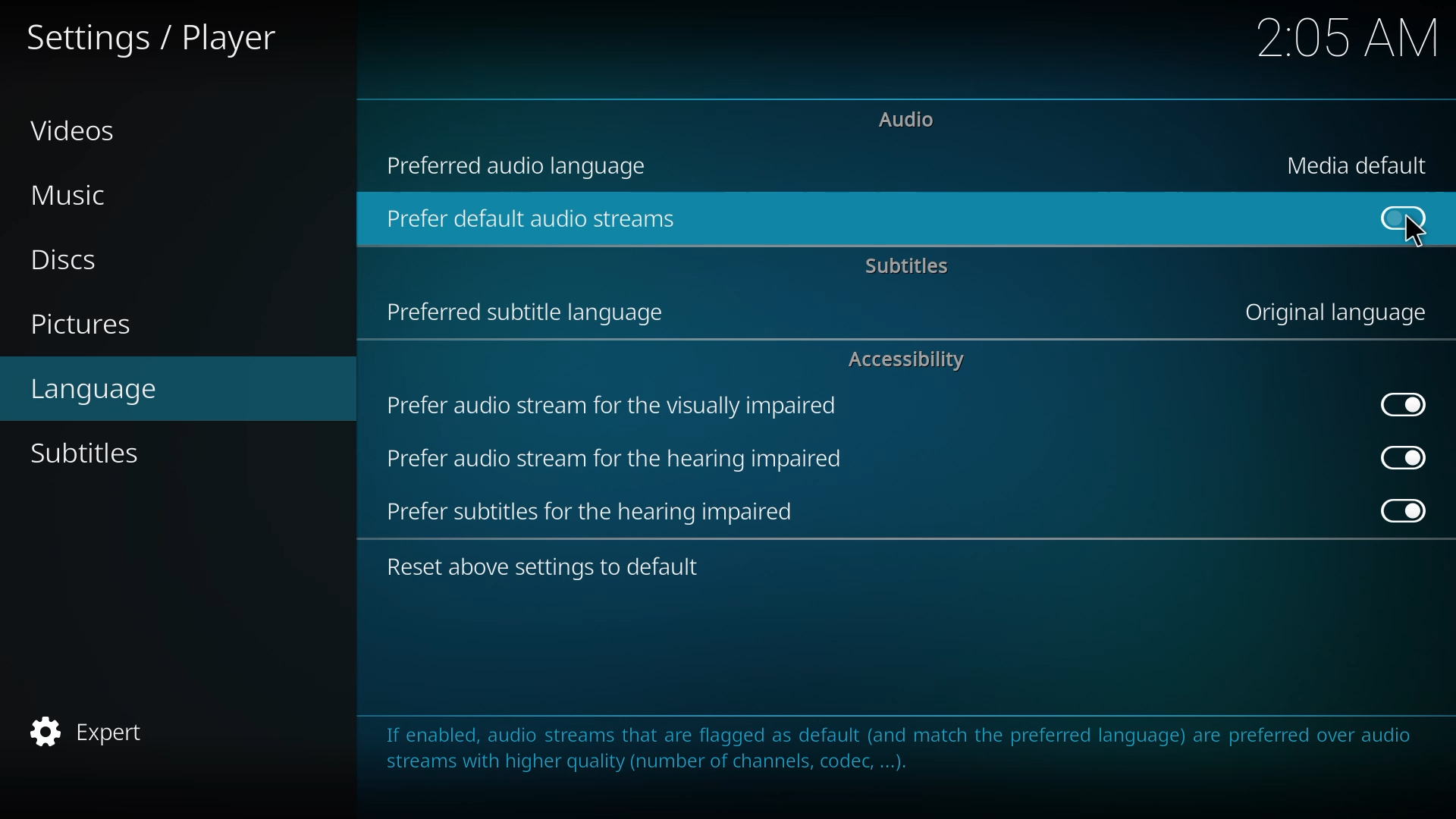 The width and height of the screenshot is (1456, 819). I want to click on time, so click(1348, 37).